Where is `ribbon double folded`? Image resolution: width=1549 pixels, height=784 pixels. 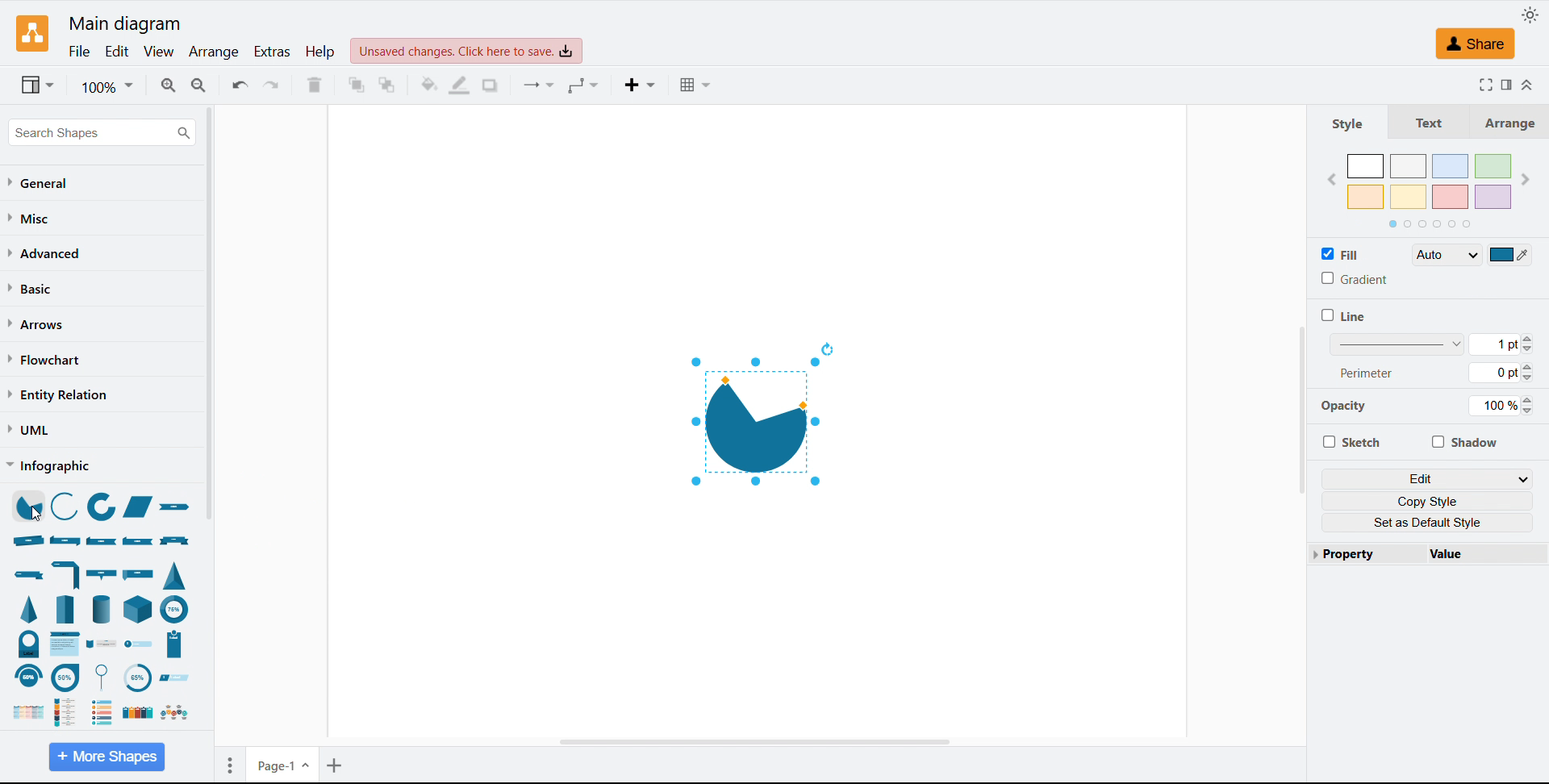
ribbon double folded is located at coordinates (66, 540).